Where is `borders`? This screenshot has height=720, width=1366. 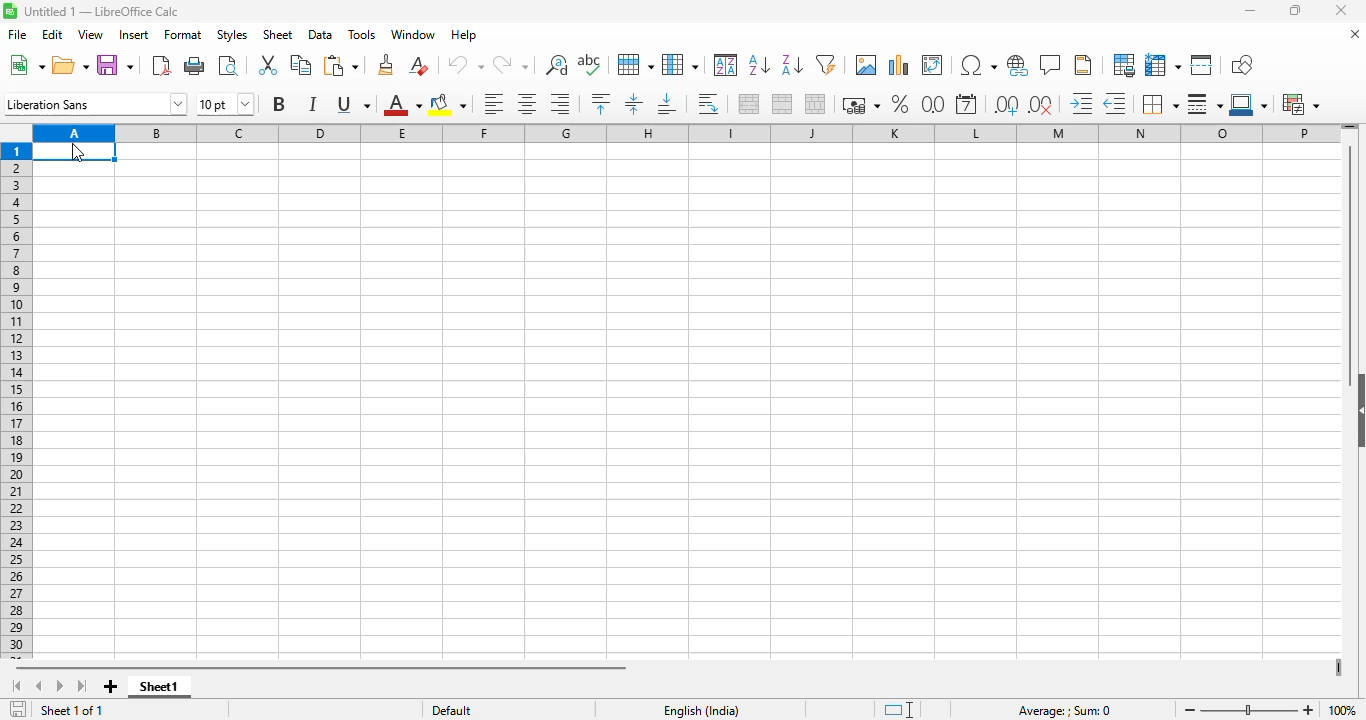
borders is located at coordinates (1159, 104).